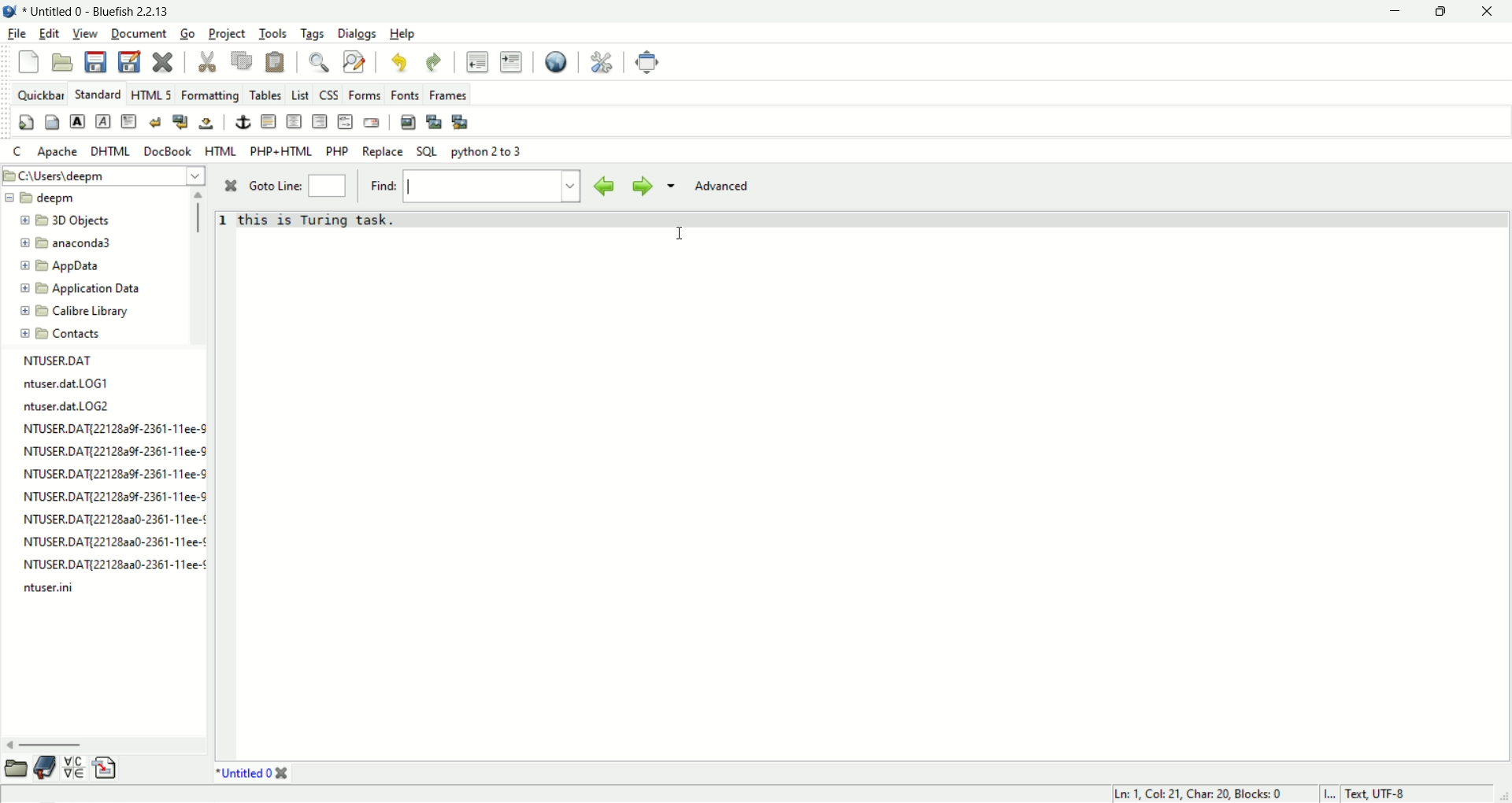  I want to click on indent, so click(511, 62).